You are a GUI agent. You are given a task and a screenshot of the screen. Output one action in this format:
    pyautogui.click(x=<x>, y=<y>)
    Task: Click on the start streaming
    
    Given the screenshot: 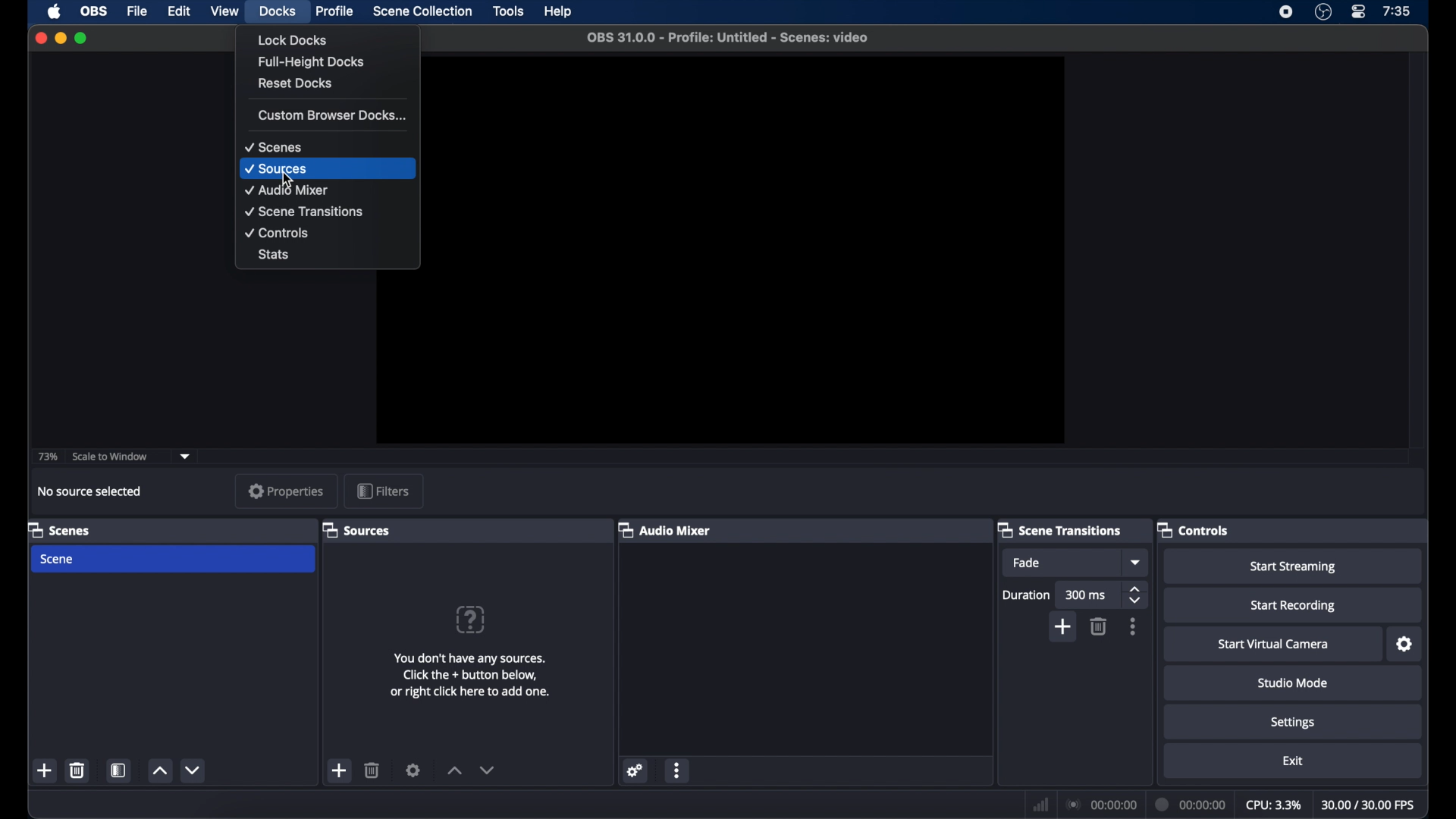 What is the action you would take?
    pyautogui.click(x=1292, y=566)
    